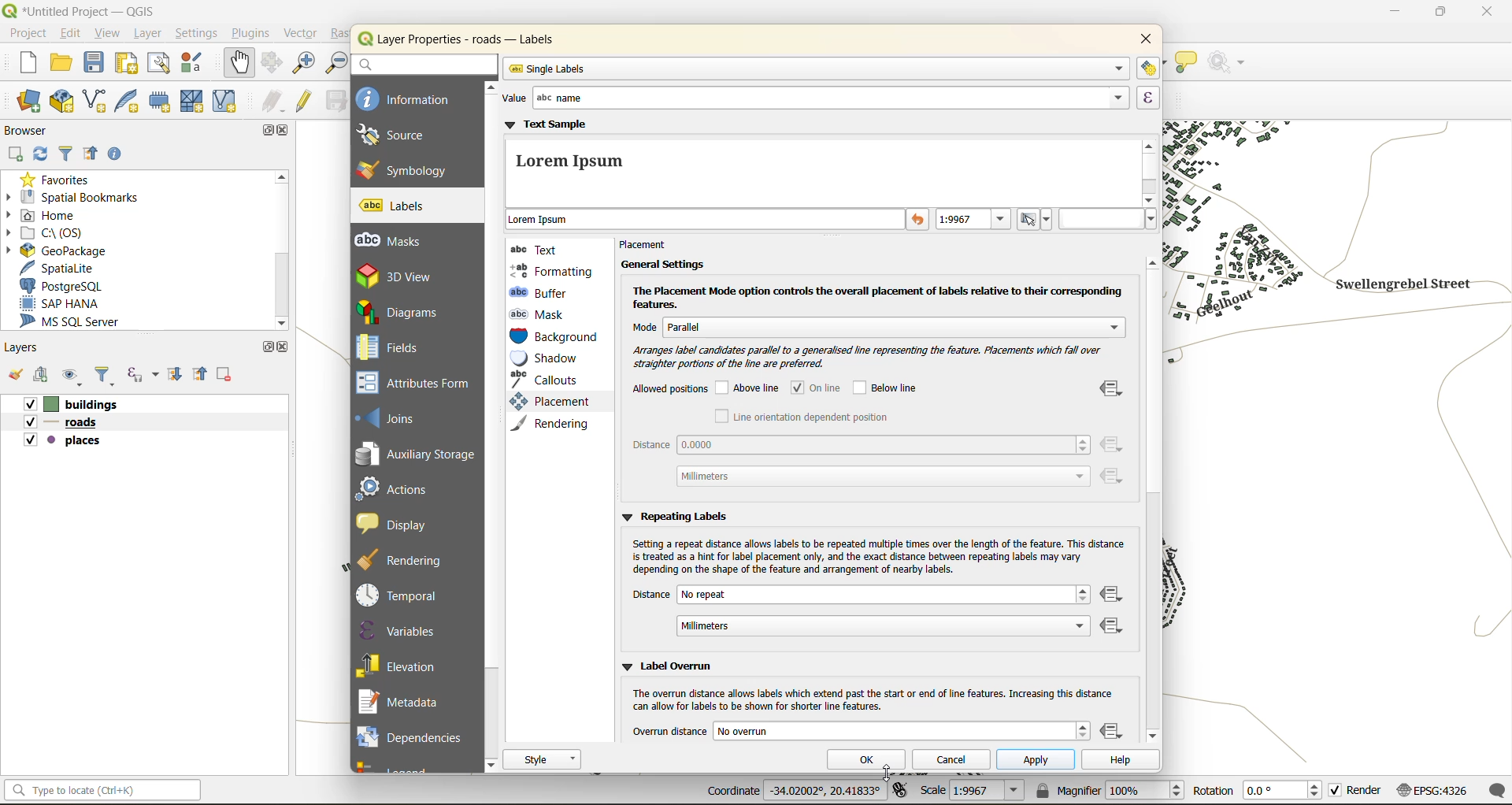 The width and height of the screenshot is (1512, 805). What do you see at coordinates (794, 791) in the screenshot?
I see `coordinates` at bounding box center [794, 791].